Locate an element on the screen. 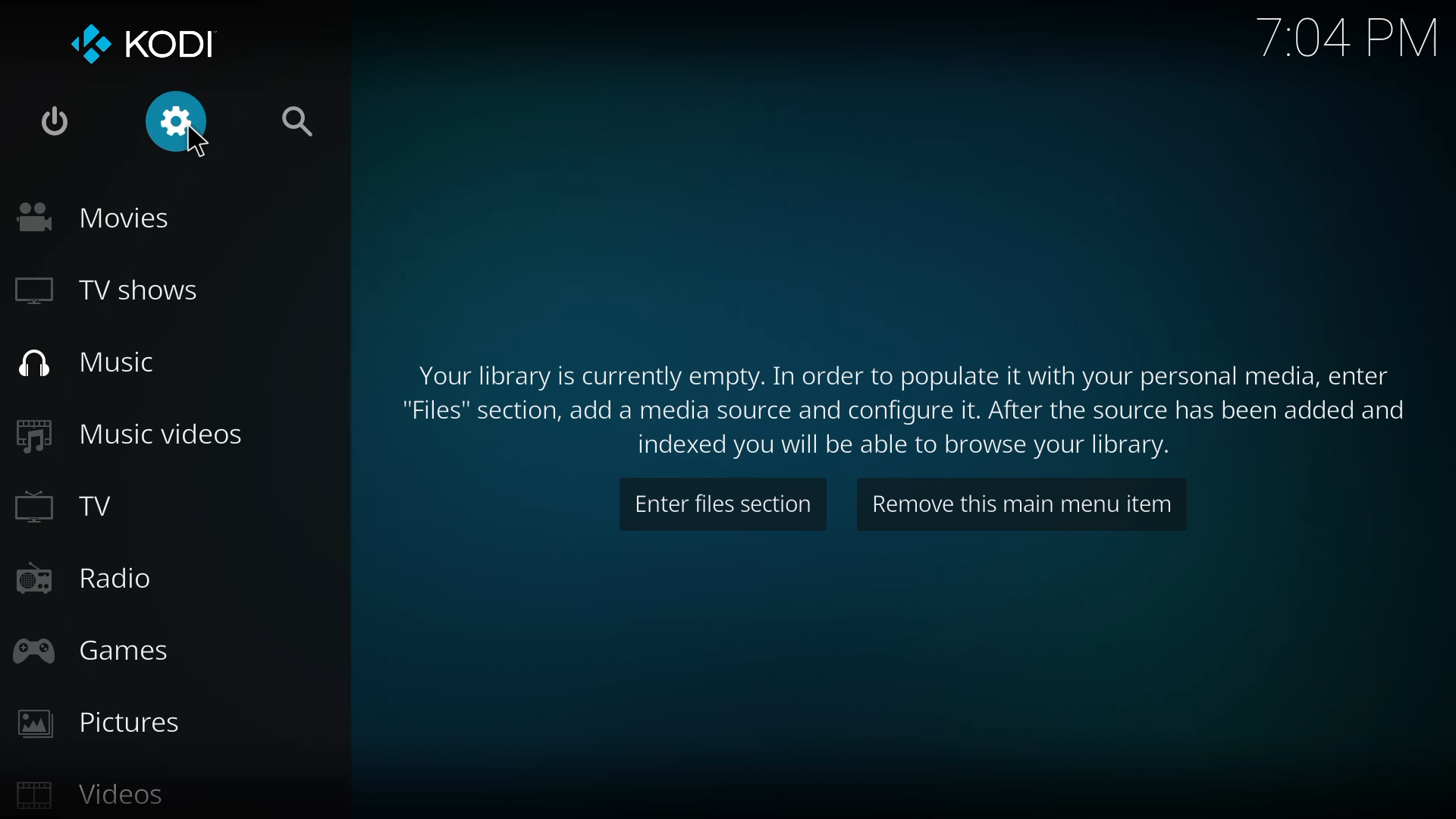 This screenshot has height=819, width=1456. movies is located at coordinates (96, 214).